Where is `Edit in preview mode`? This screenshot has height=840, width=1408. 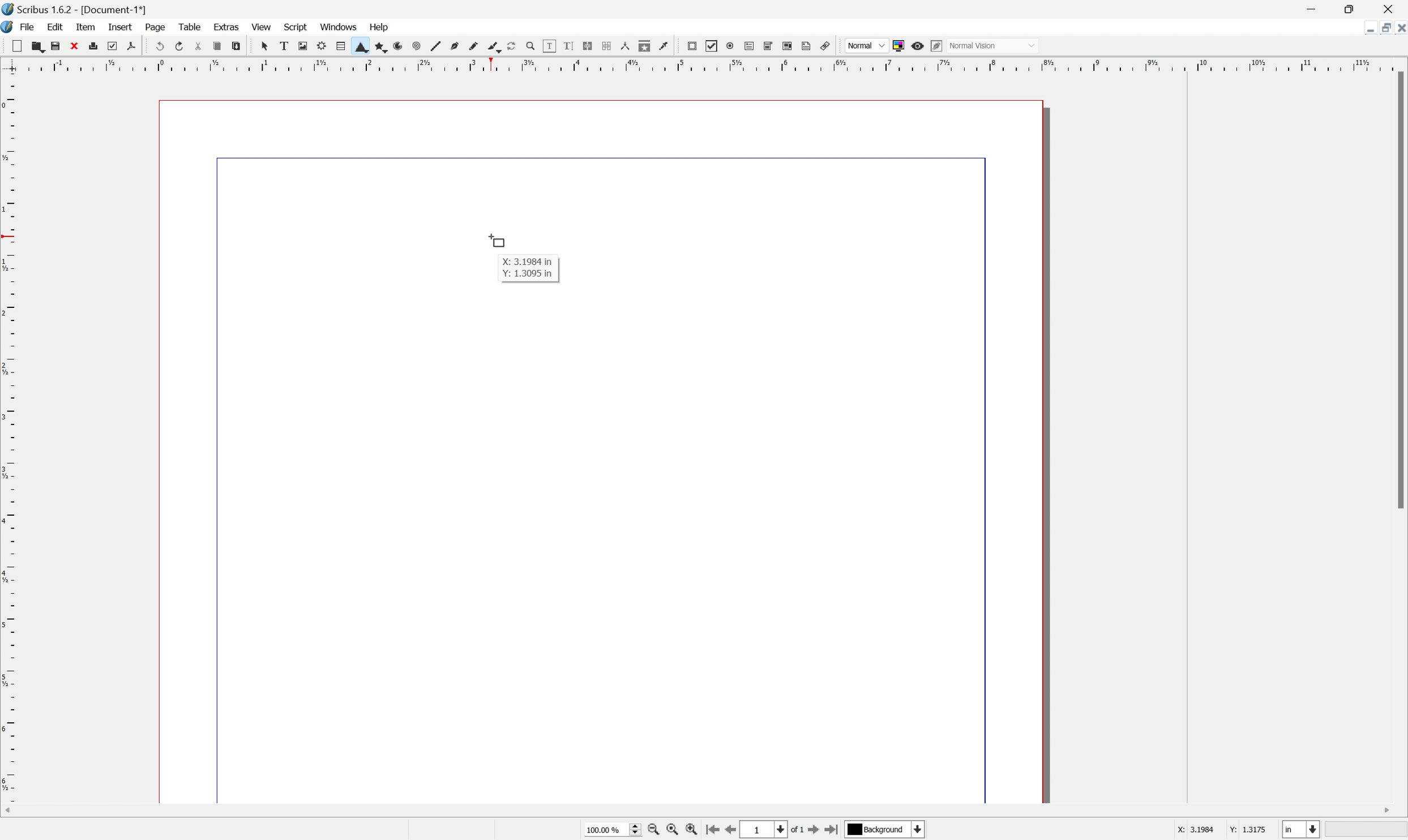
Edit in preview mode is located at coordinates (936, 46).